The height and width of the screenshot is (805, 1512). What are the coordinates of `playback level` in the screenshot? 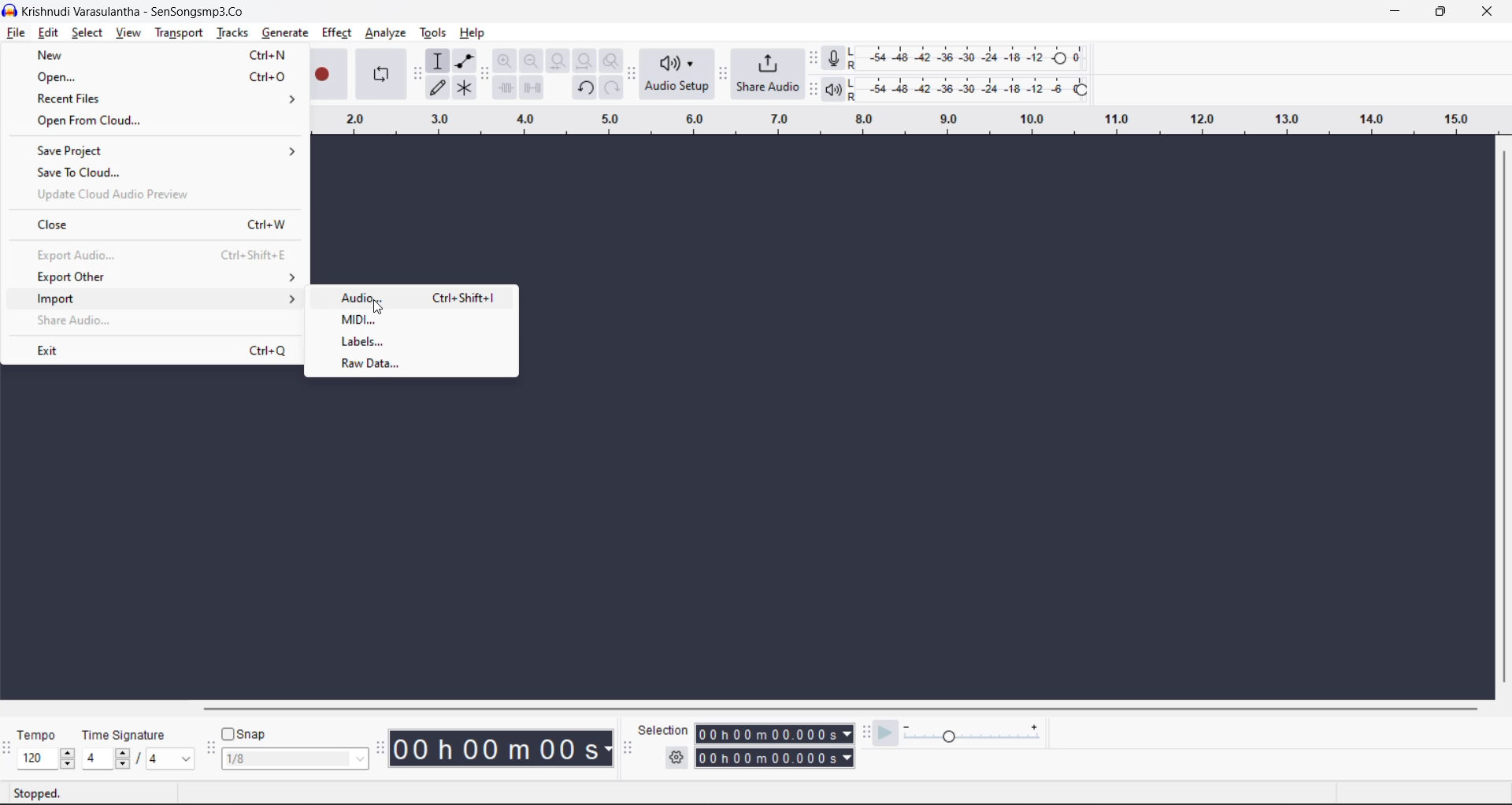 It's located at (980, 87).